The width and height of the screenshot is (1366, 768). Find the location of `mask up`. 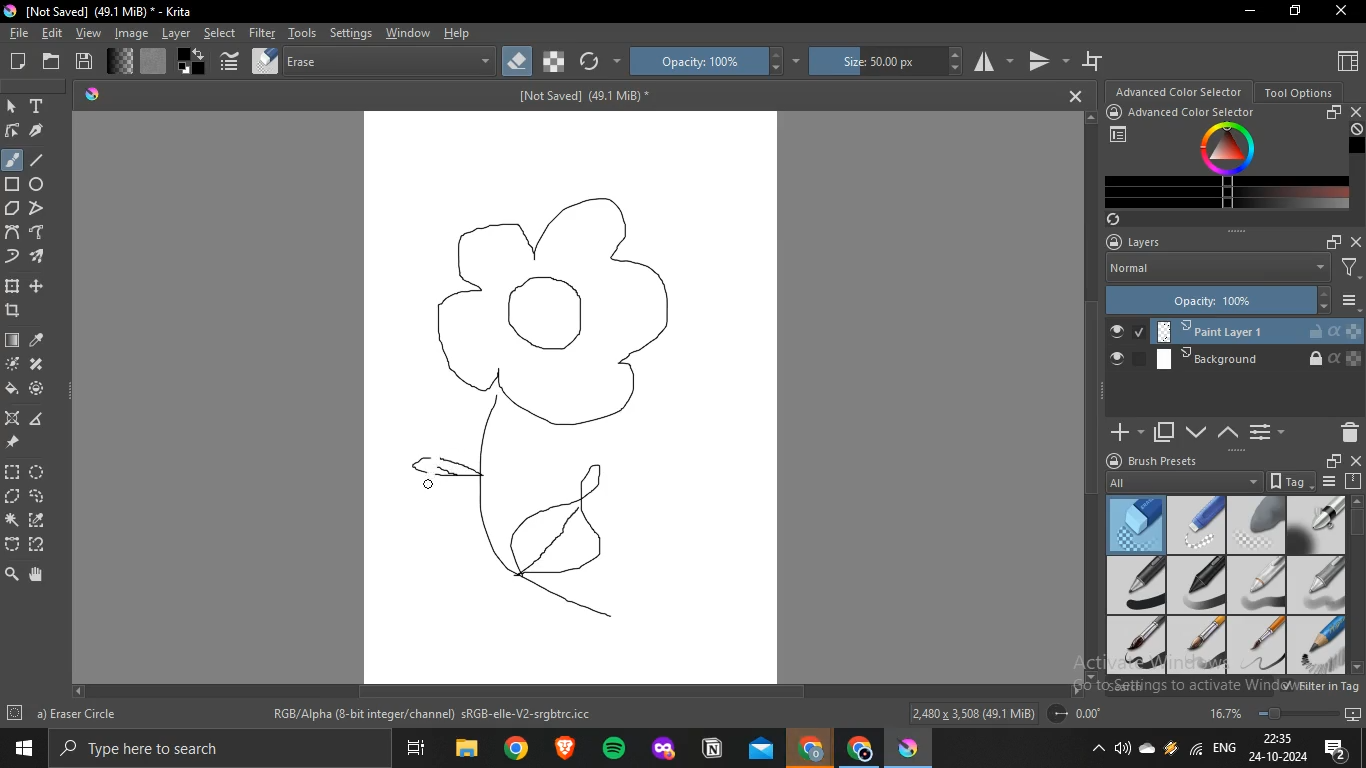

mask up is located at coordinates (1229, 433).